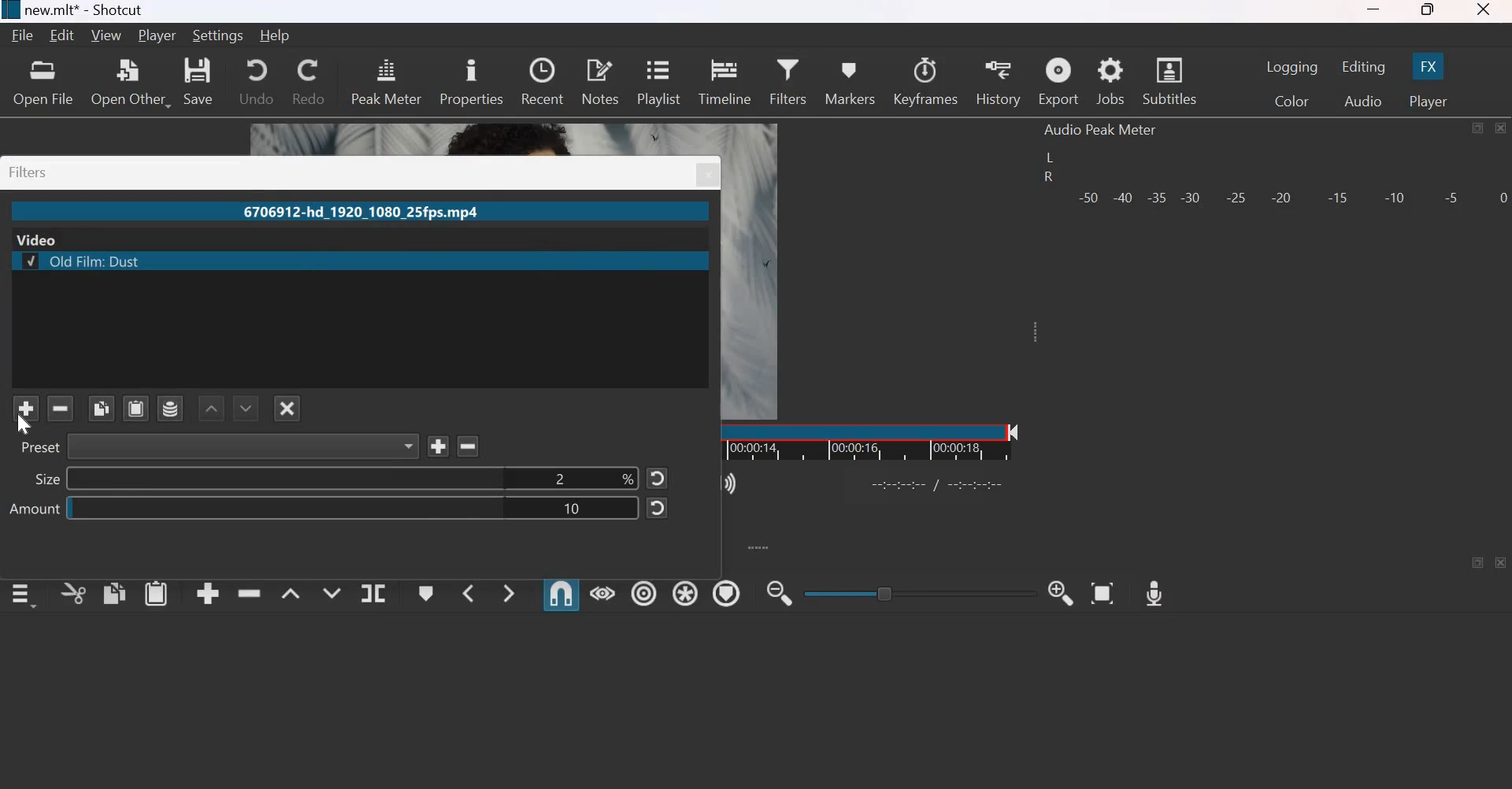 This screenshot has height=789, width=1512. What do you see at coordinates (1063, 593) in the screenshot?
I see `Zoom Timeline in` at bounding box center [1063, 593].